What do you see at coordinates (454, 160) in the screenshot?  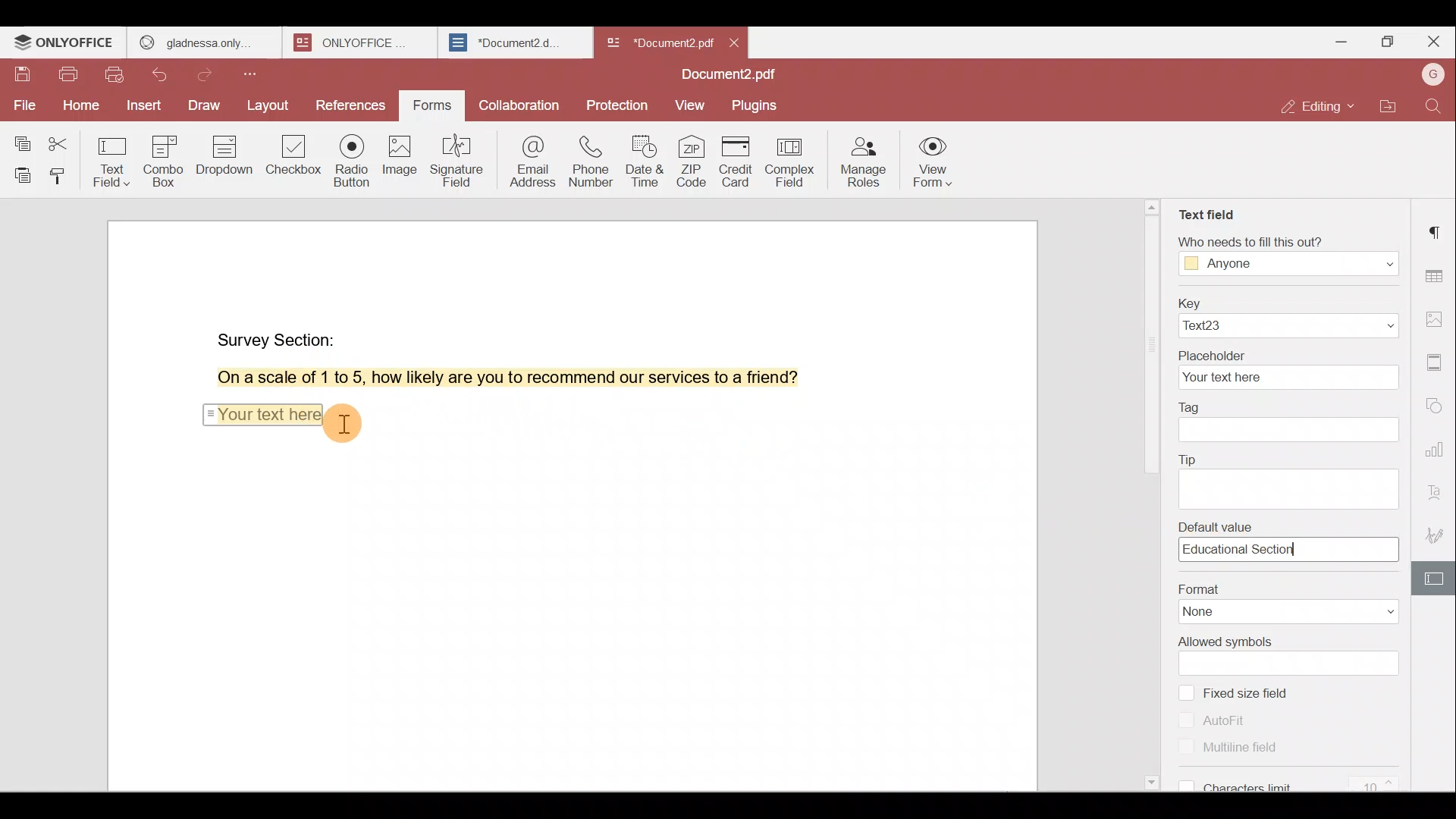 I see `Signature field` at bounding box center [454, 160].